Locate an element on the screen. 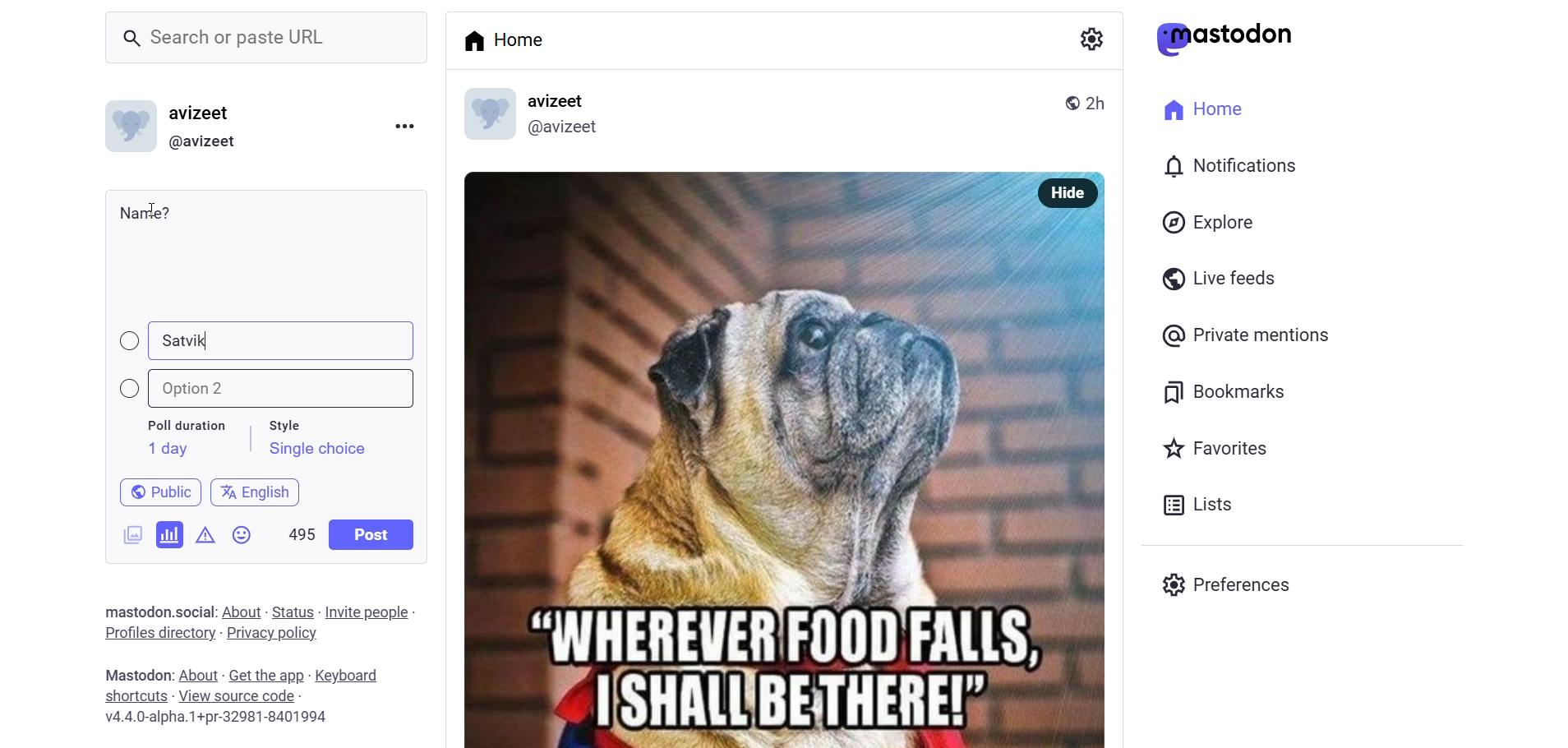 The height and width of the screenshot is (748, 1568). home is located at coordinates (1198, 107).